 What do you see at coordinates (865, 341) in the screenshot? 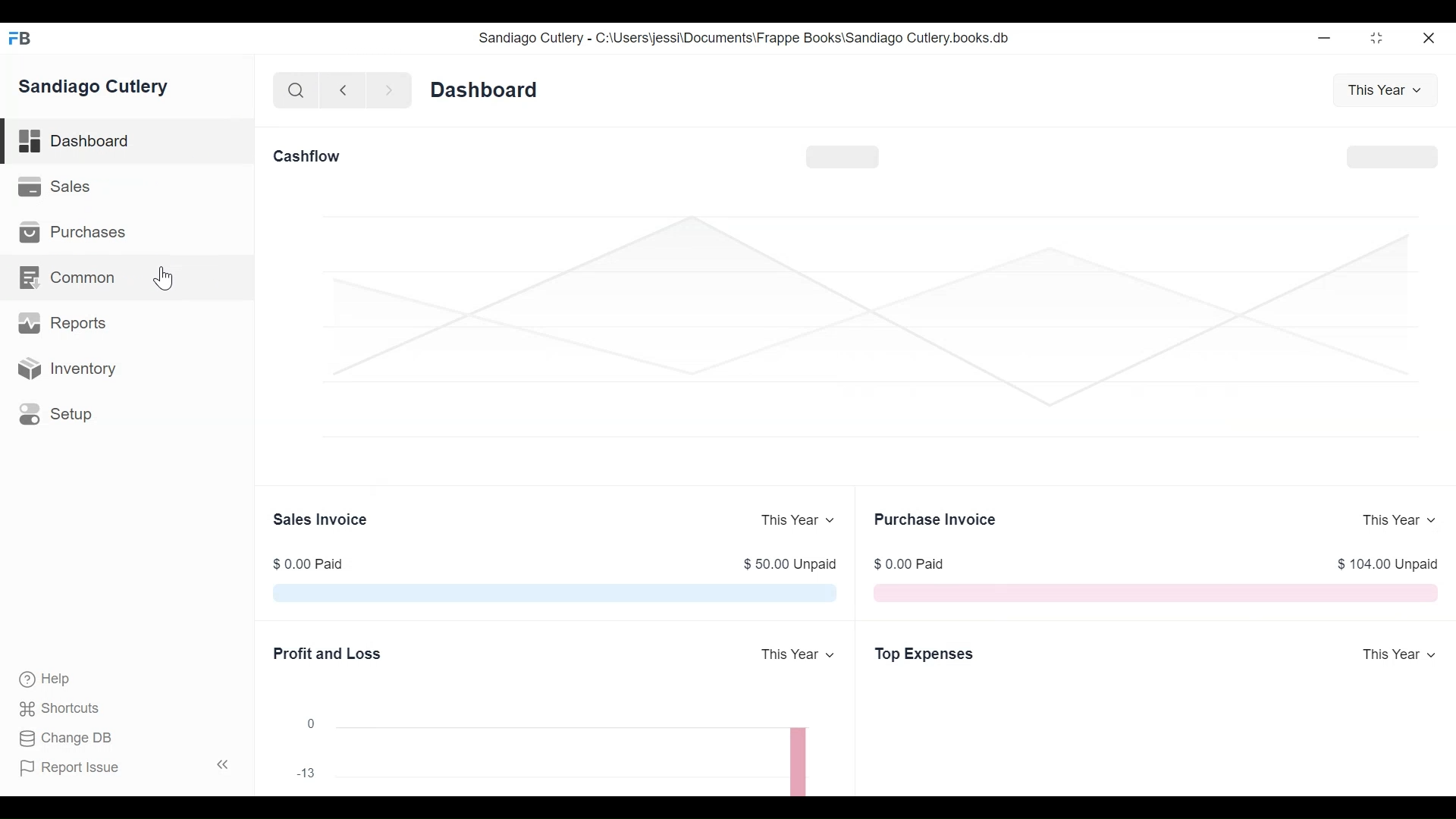
I see `The Cashflow chart shows the total amount of money being transferred into and out of Sandiago Cultery company over a year` at bounding box center [865, 341].